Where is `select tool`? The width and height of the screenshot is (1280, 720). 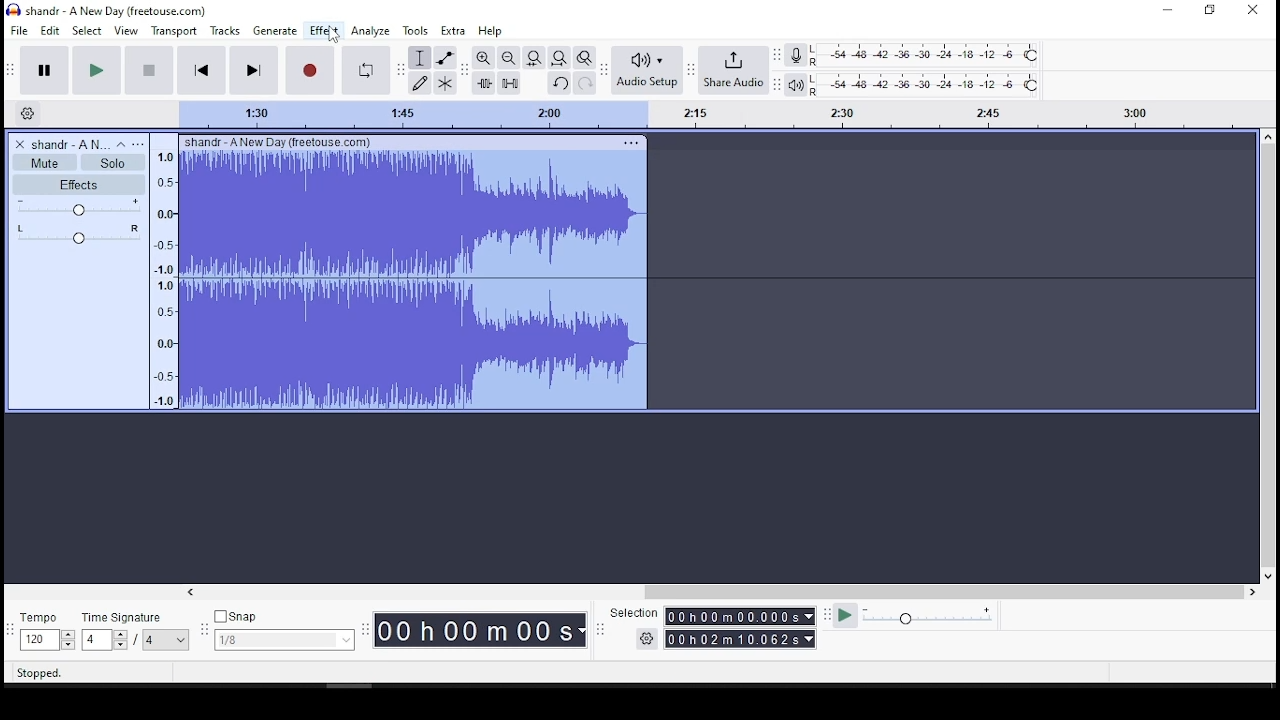 select tool is located at coordinates (419, 58).